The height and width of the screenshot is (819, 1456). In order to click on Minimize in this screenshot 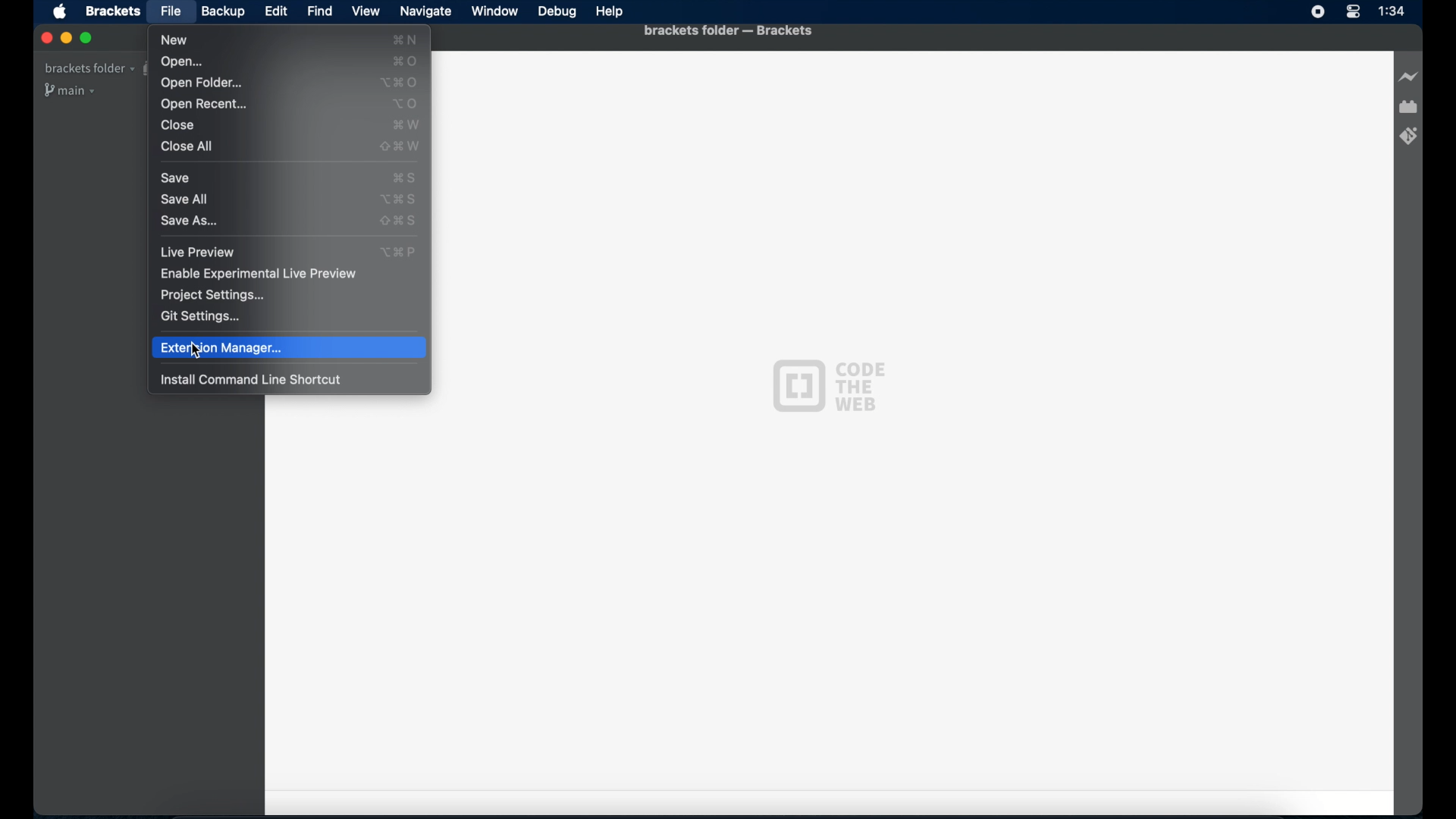, I will do `click(65, 38)`.